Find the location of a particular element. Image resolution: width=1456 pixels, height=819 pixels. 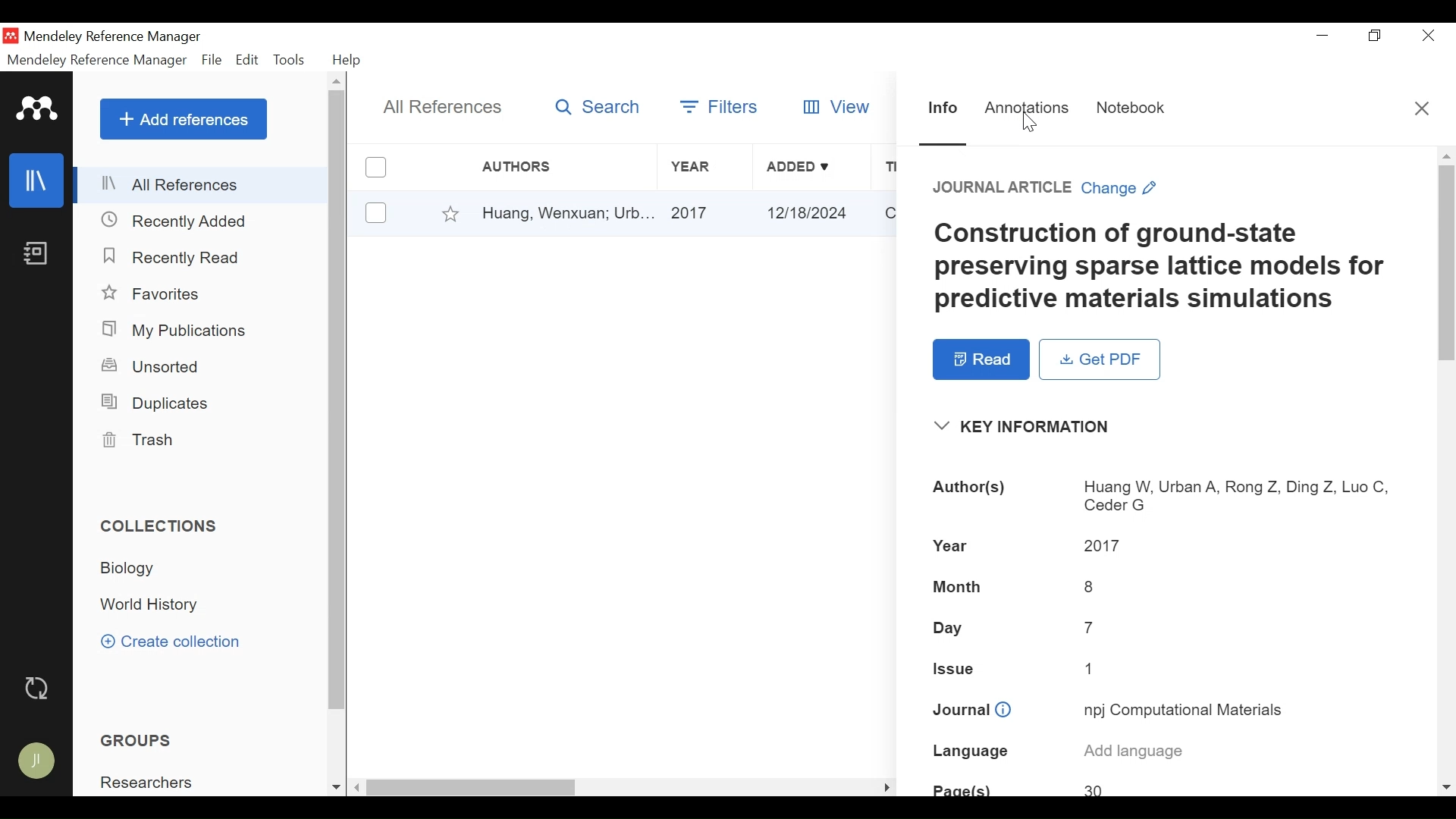

Mendeley Reference Manager is located at coordinates (97, 60).